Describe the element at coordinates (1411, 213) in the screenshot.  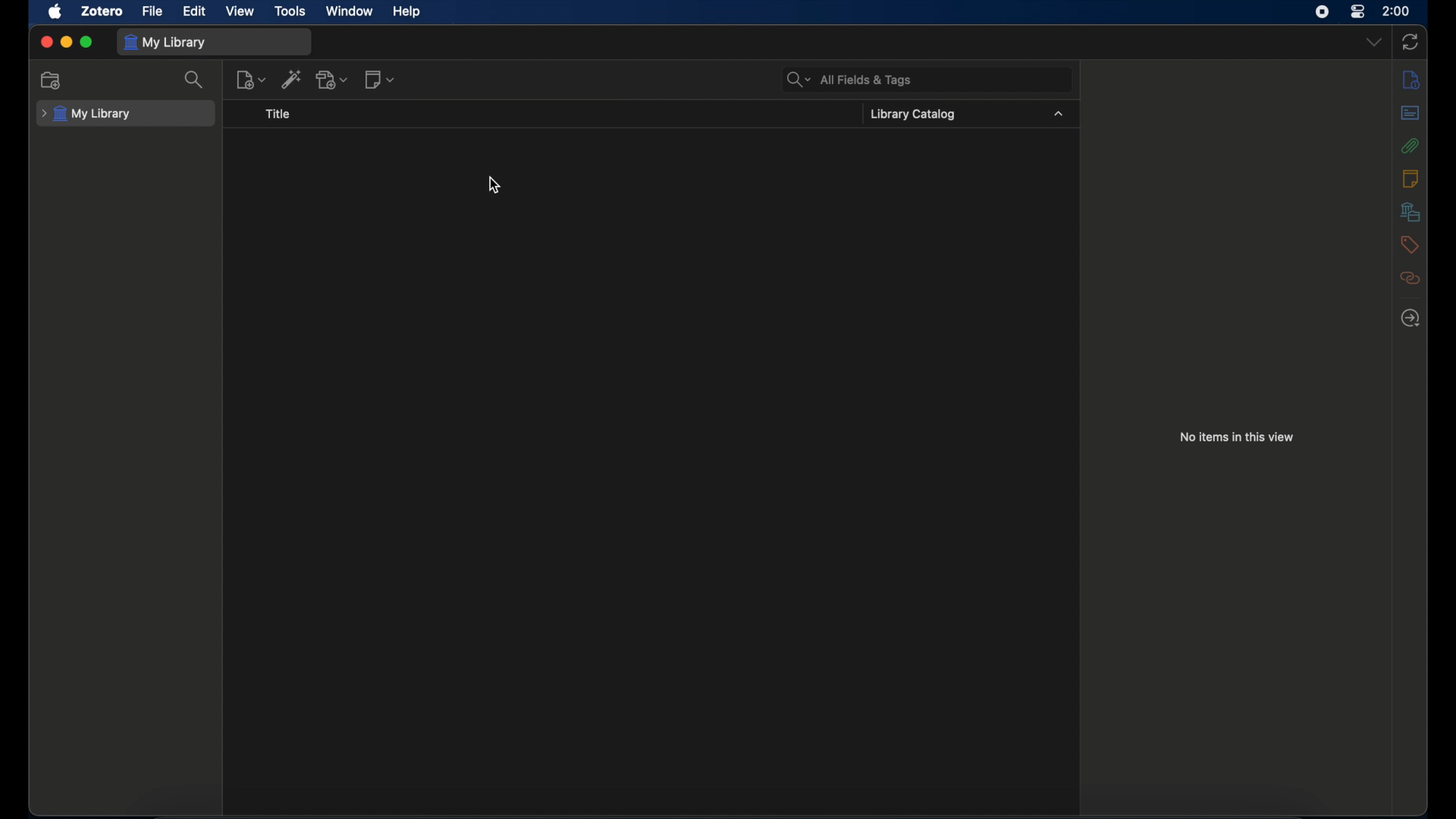
I see `libraries` at that location.